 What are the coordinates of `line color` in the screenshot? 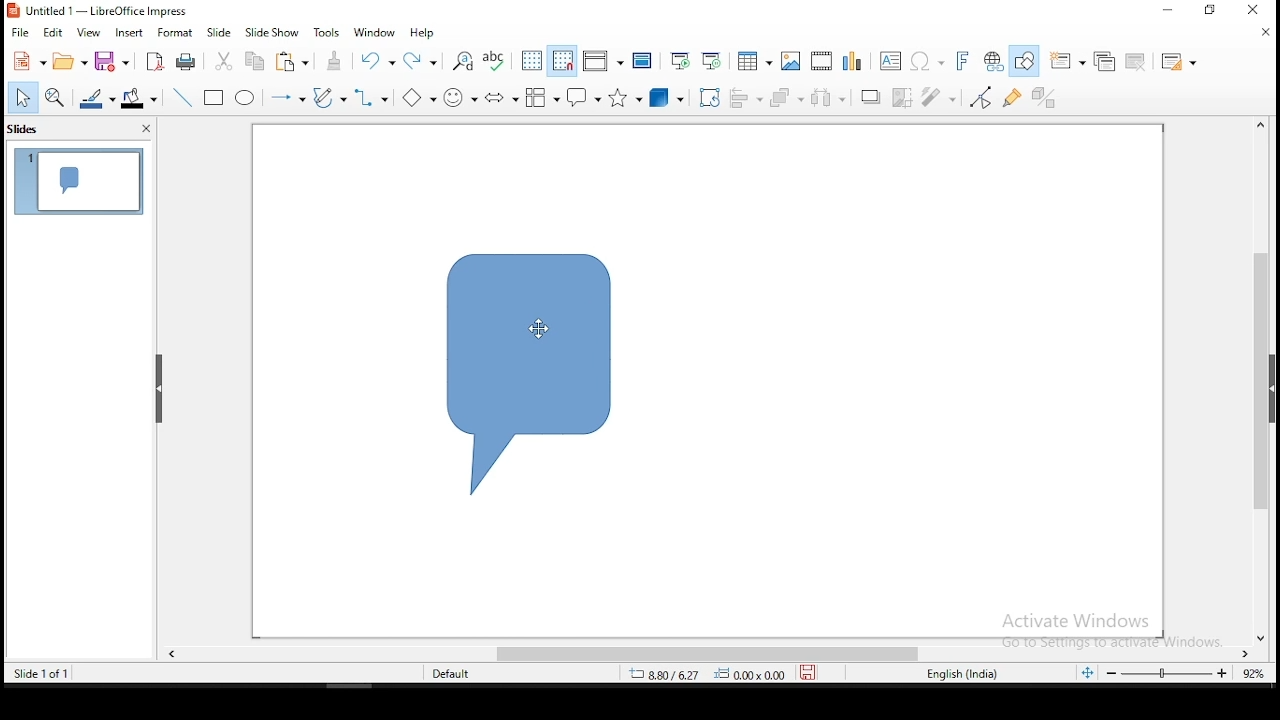 It's located at (95, 98).